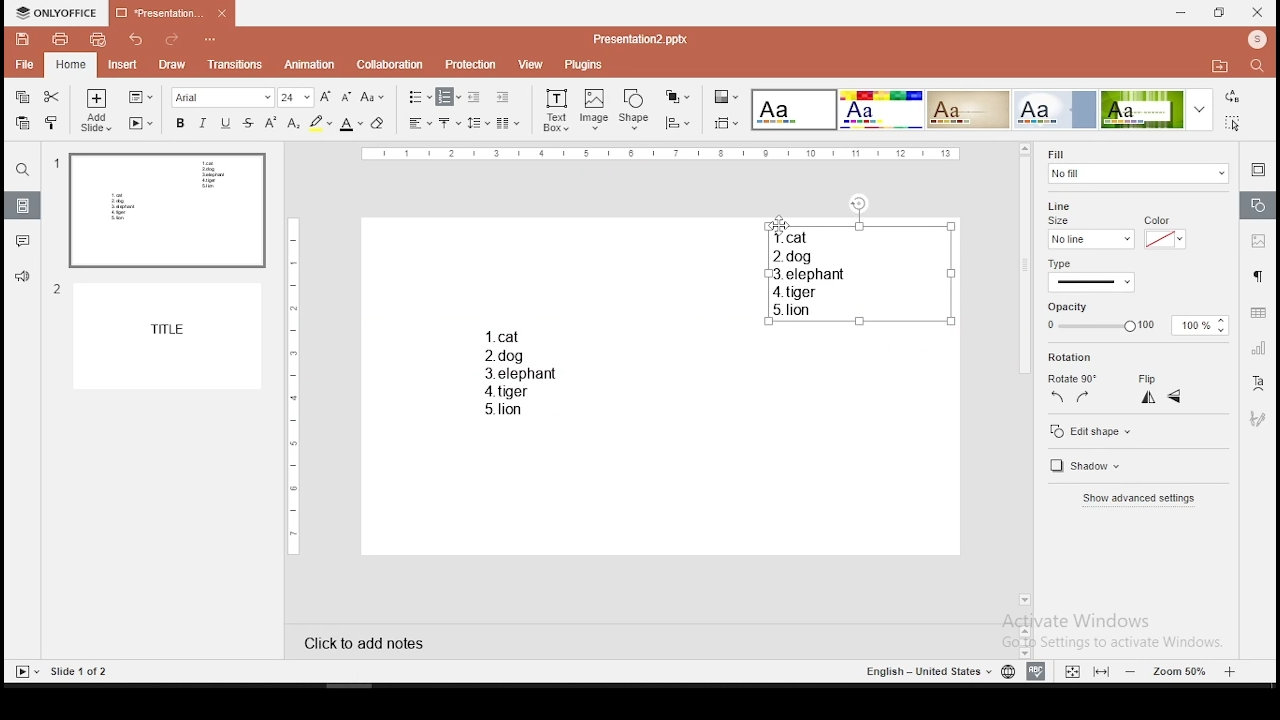 Image resolution: width=1280 pixels, height=720 pixels. What do you see at coordinates (451, 122) in the screenshot?
I see `vertical alignment` at bounding box center [451, 122].